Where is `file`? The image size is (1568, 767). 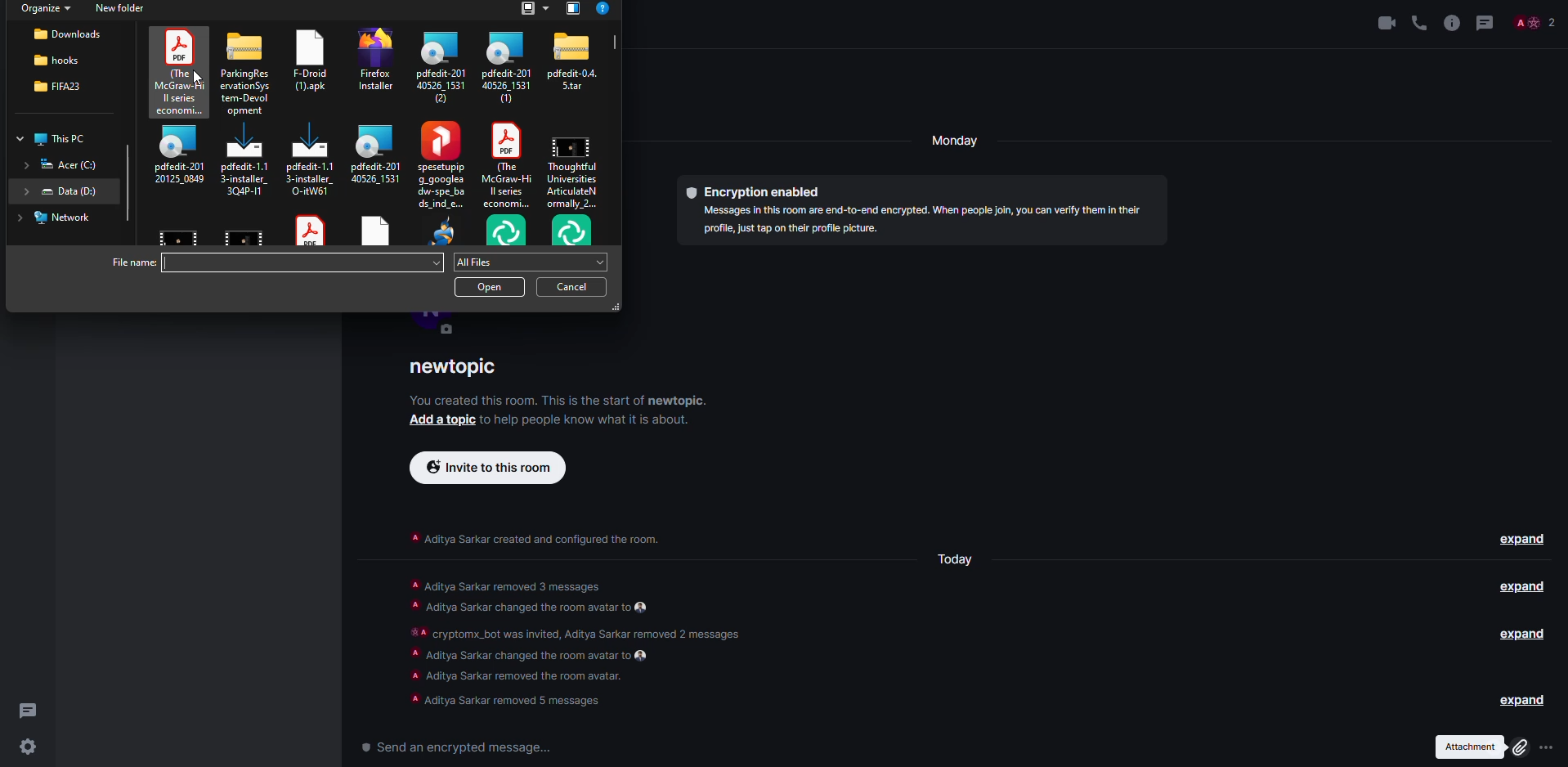
file is located at coordinates (248, 72).